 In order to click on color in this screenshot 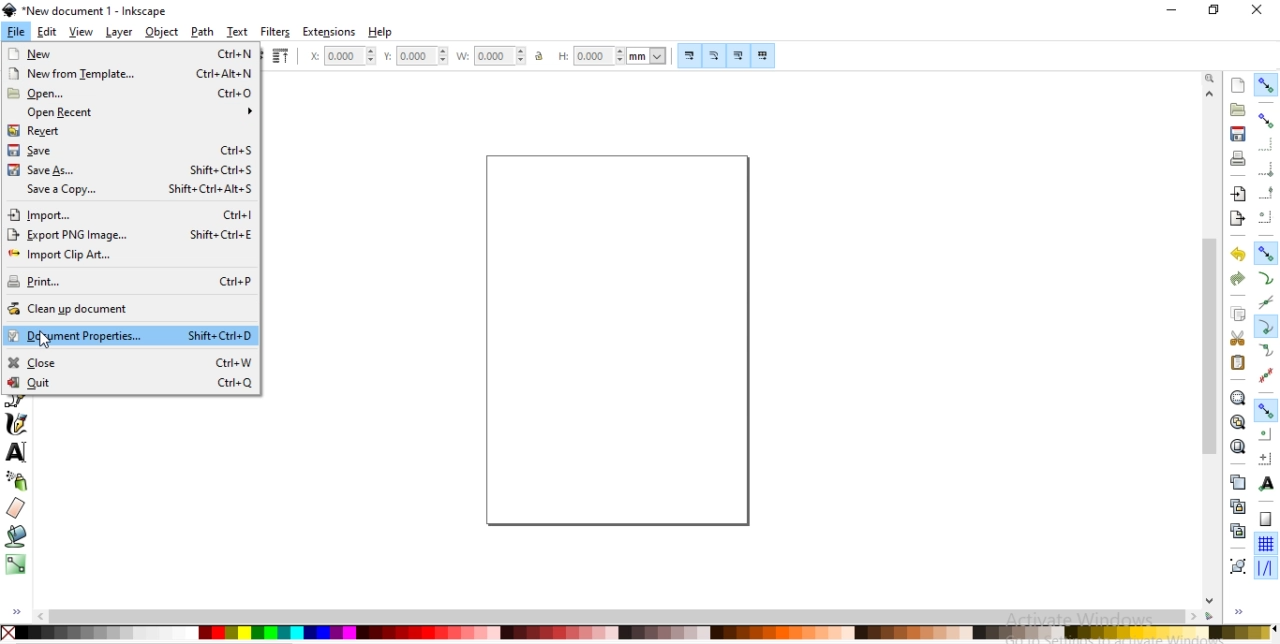, I will do `click(638, 632)`.